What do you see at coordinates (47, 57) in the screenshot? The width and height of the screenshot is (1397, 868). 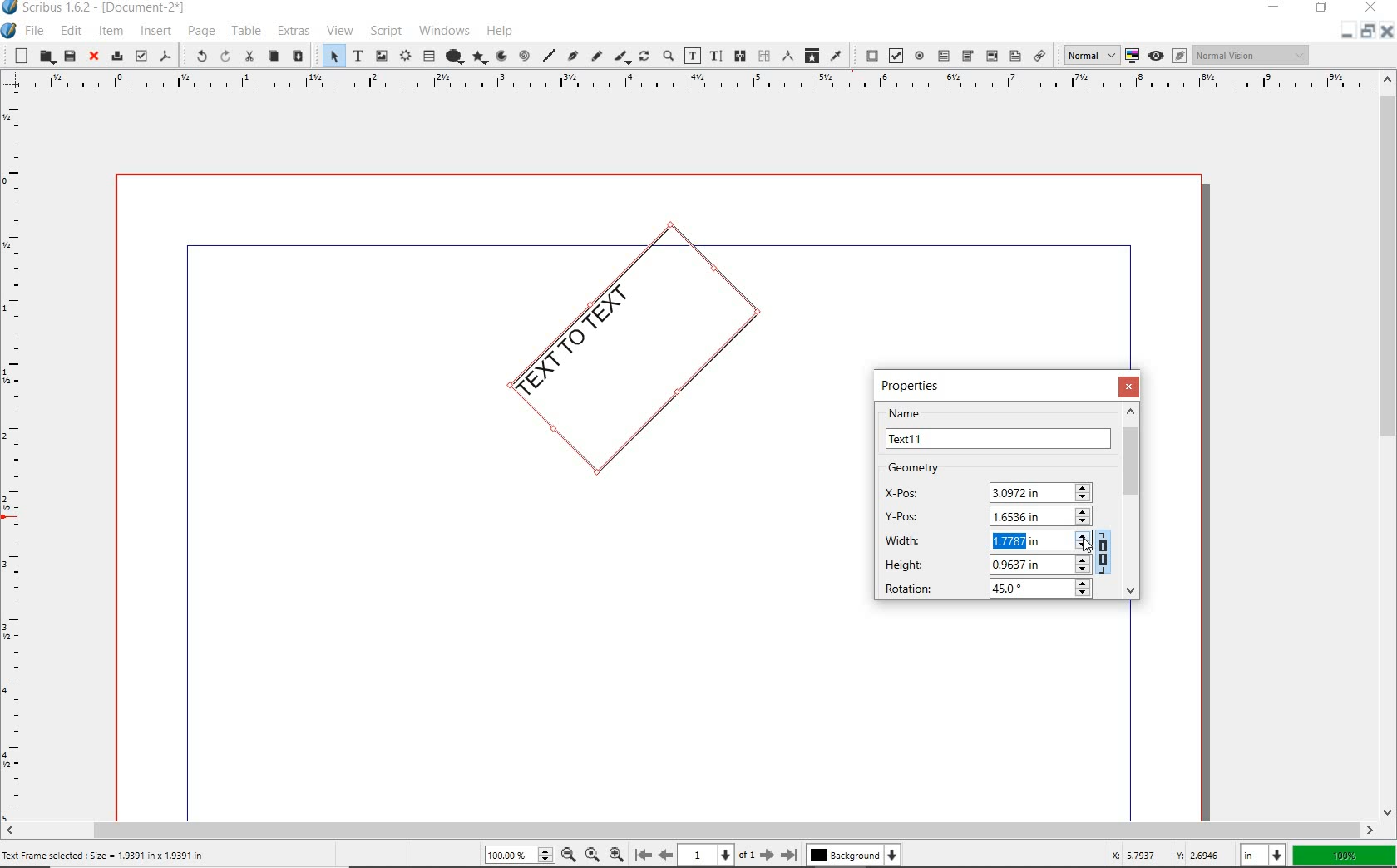 I see `open` at bounding box center [47, 57].